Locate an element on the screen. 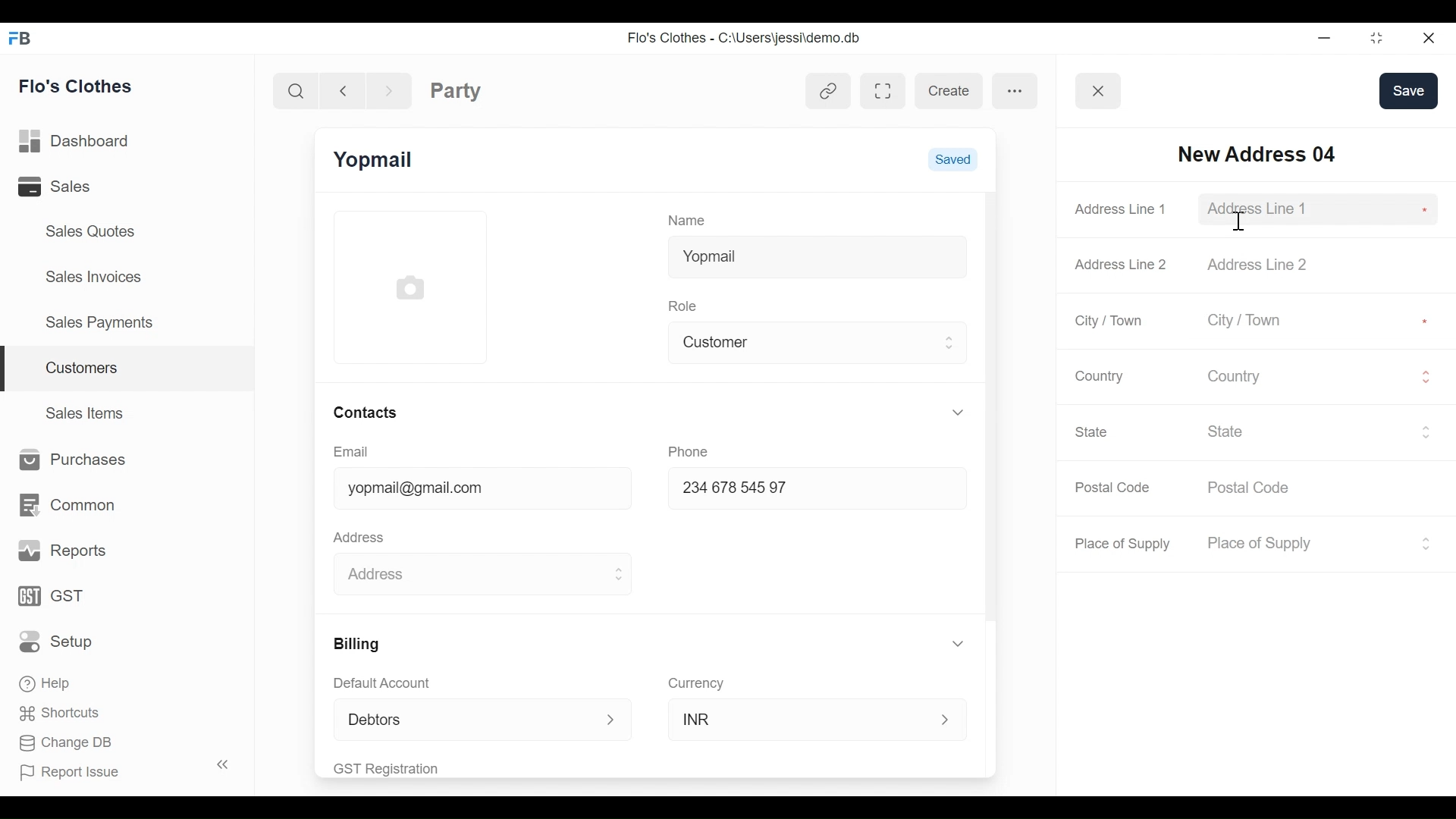 This screenshot has height=819, width=1456. Customer is located at coordinates (806, 340).